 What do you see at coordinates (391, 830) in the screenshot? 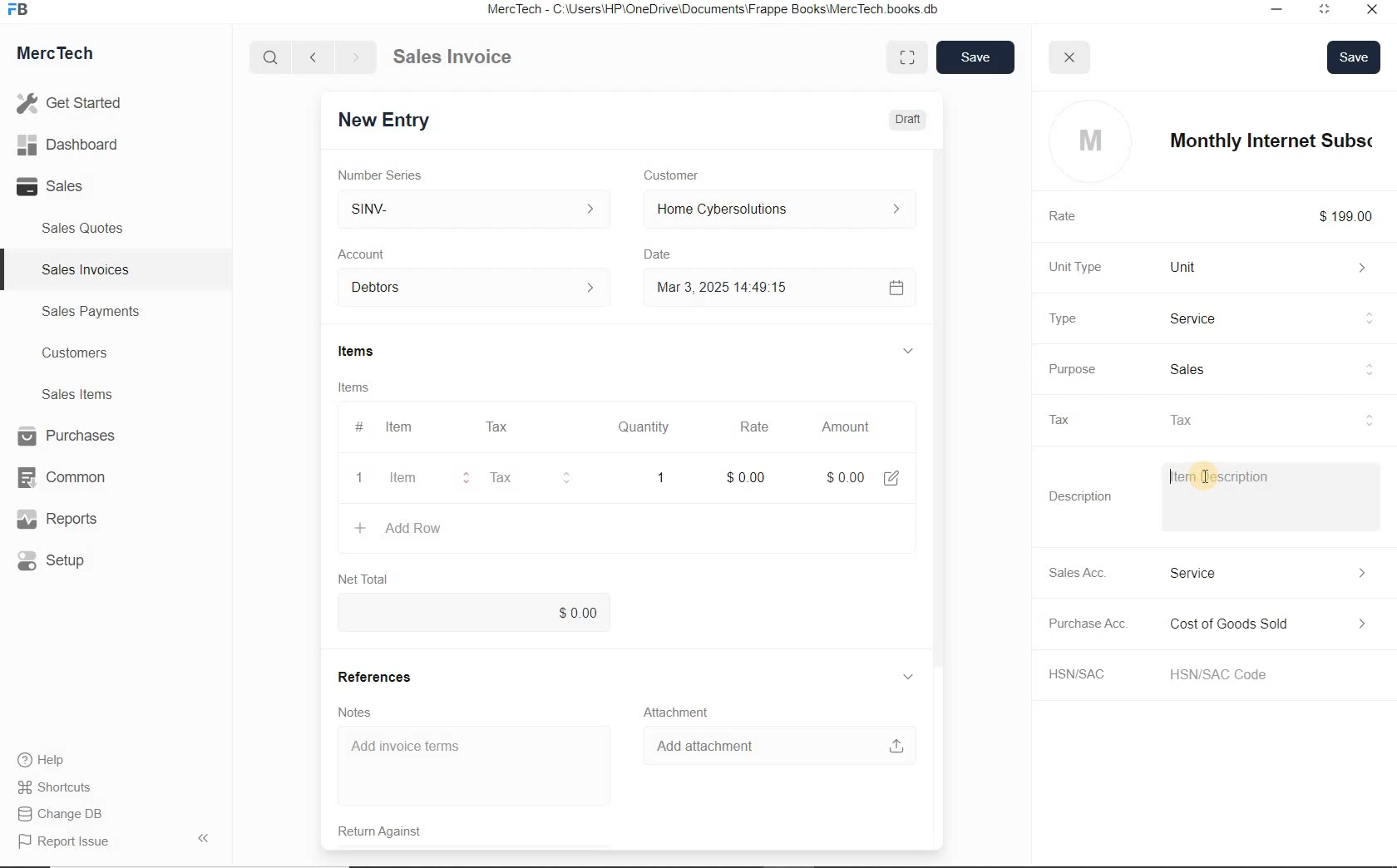
I see `Return Against` at bounding box center [391, 830].